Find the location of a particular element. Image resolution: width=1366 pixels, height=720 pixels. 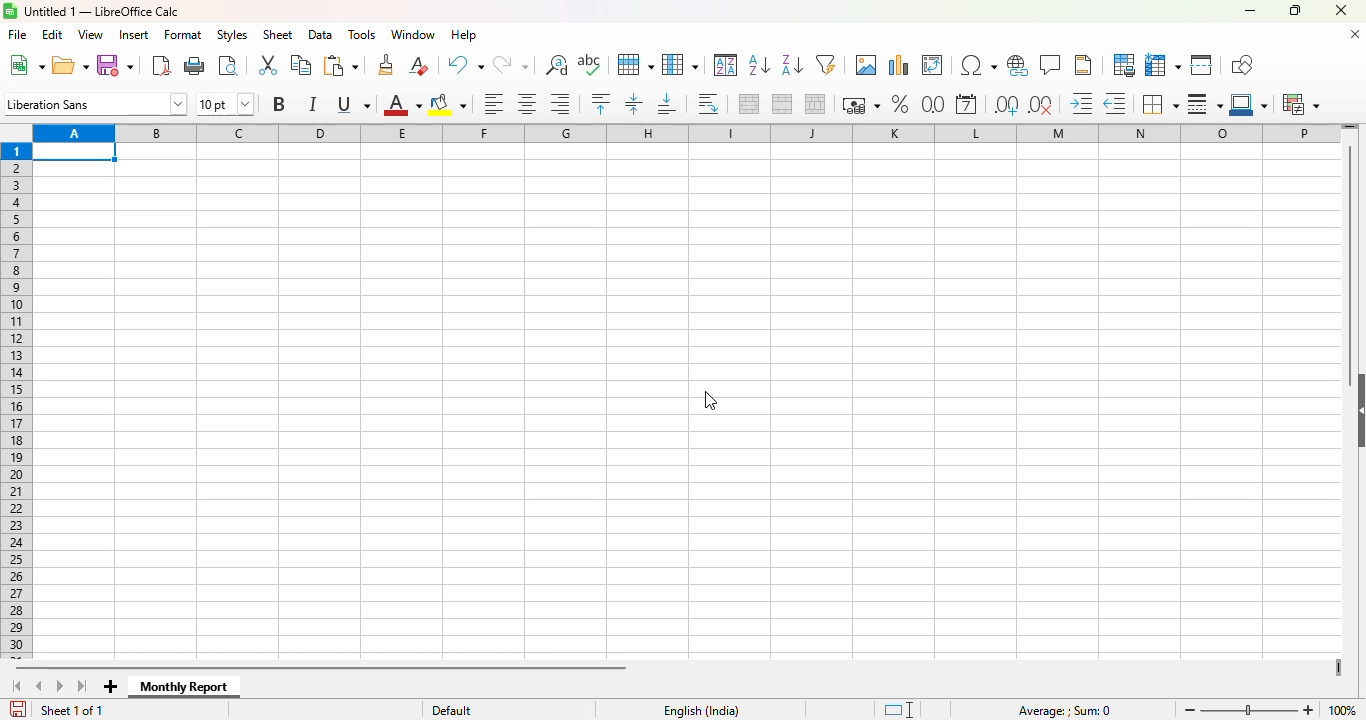

paste is located at coordinates (341, 65).